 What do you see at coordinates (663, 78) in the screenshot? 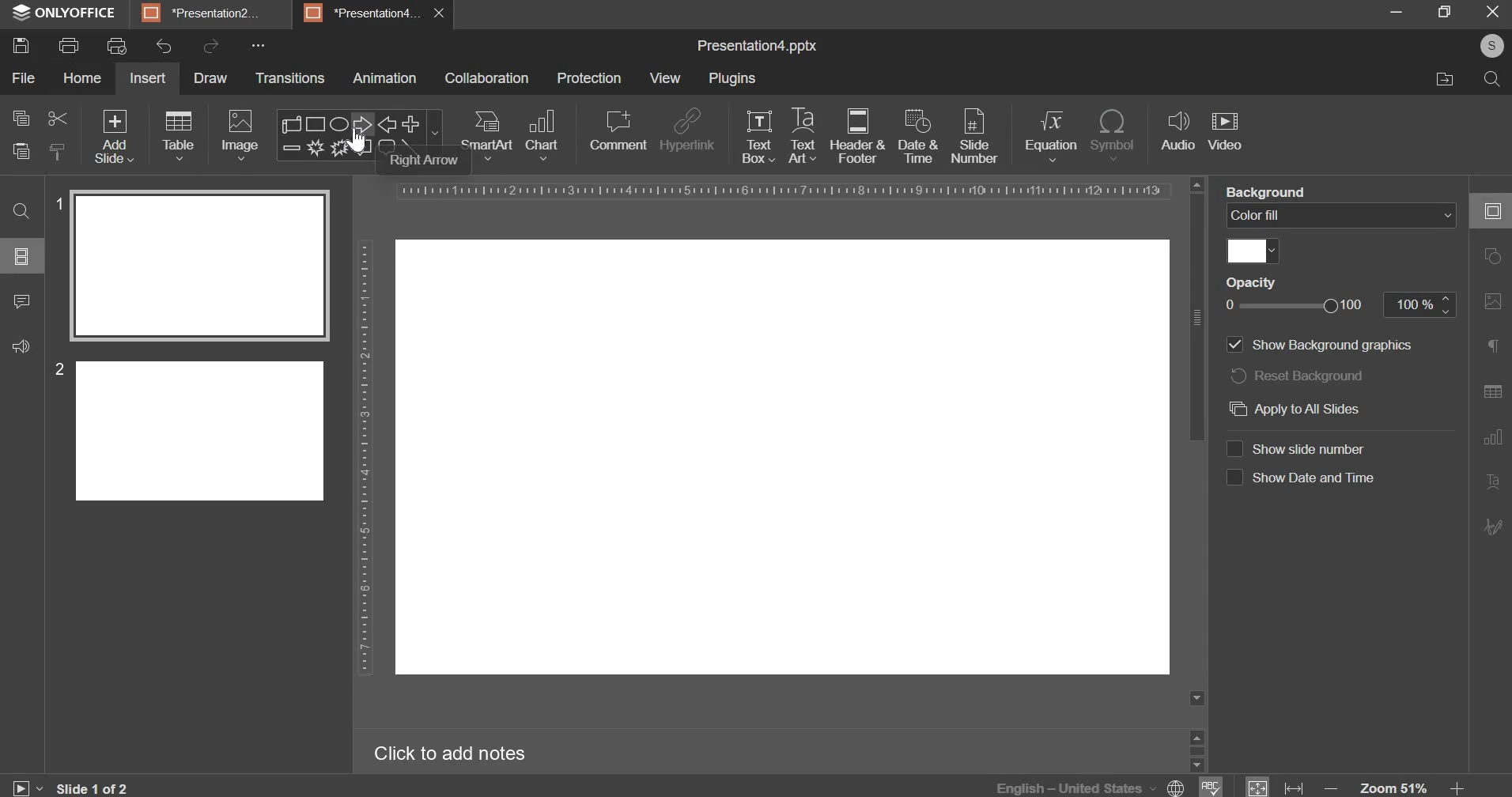
I see `view` at bounding box center [663, 78].